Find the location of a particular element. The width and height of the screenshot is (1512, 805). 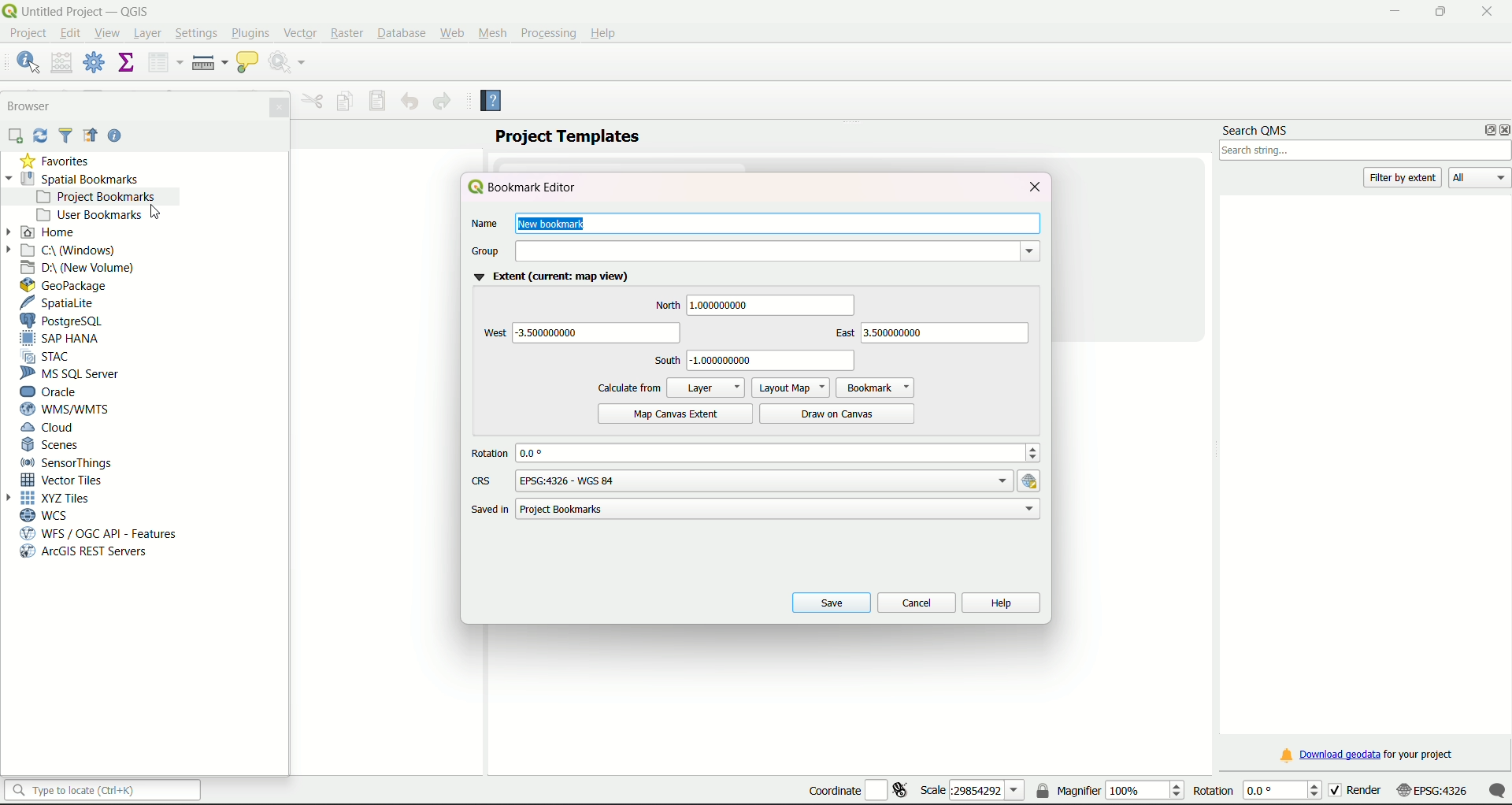

project bookmarks is located at coordinates (97, 196).